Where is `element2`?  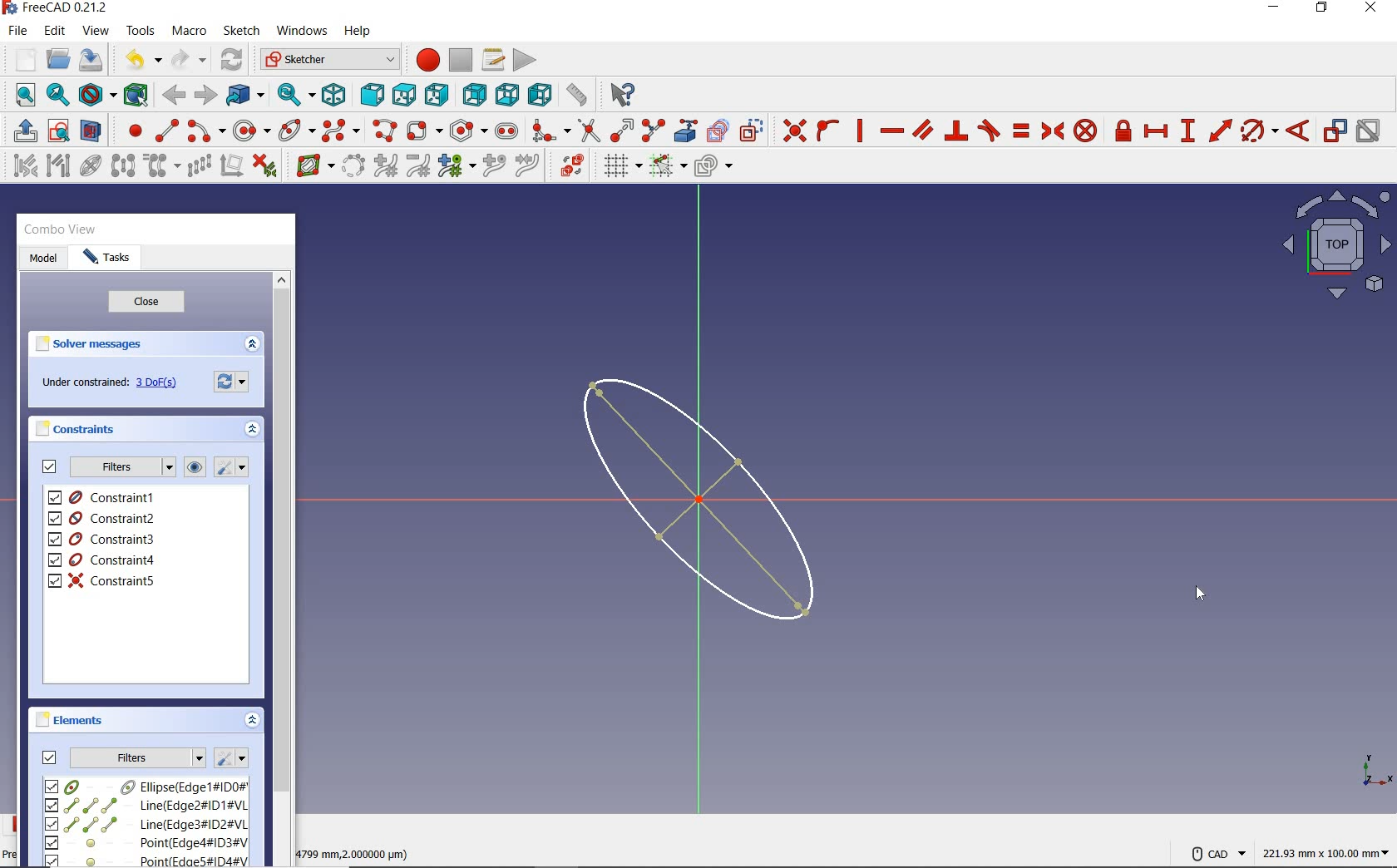 element2 is located at coordinates (146, 805).